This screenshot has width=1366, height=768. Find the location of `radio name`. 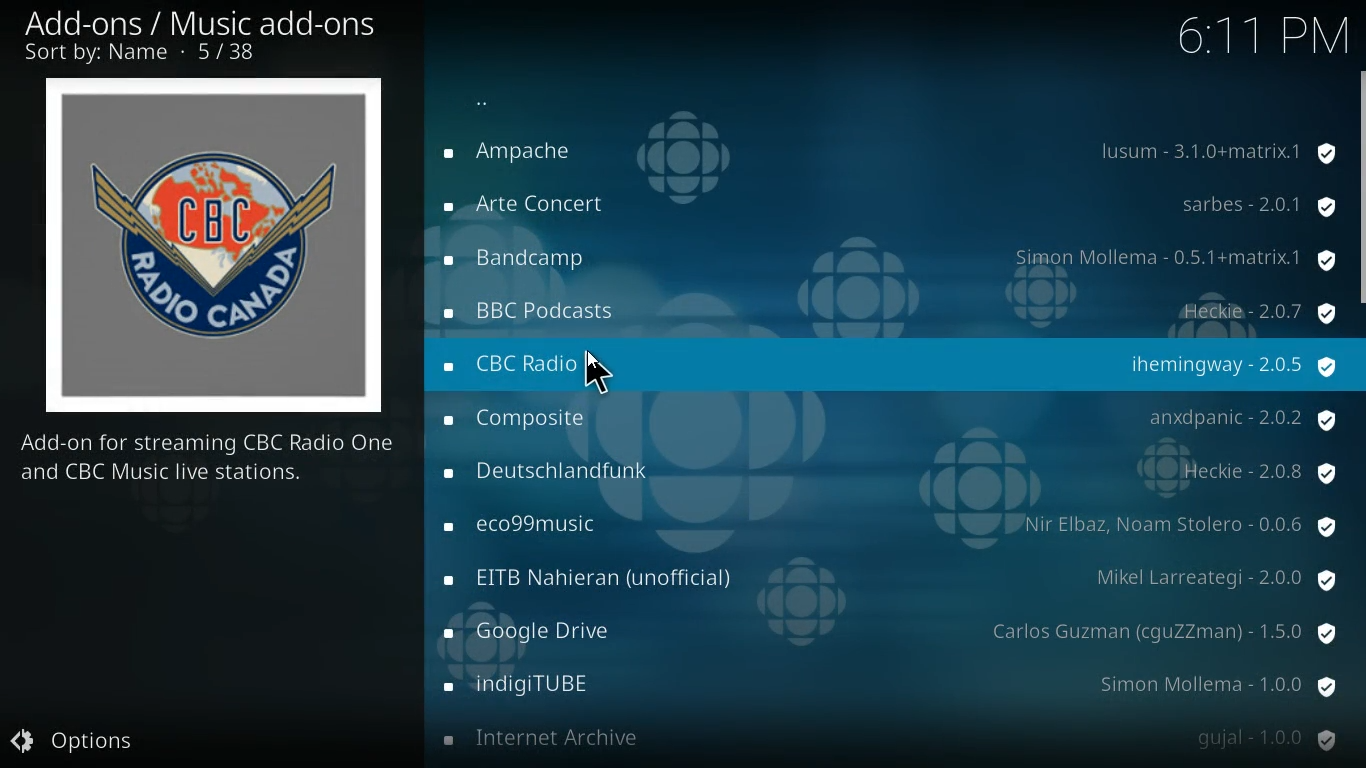

radio name is located at coordinates (530, 206).